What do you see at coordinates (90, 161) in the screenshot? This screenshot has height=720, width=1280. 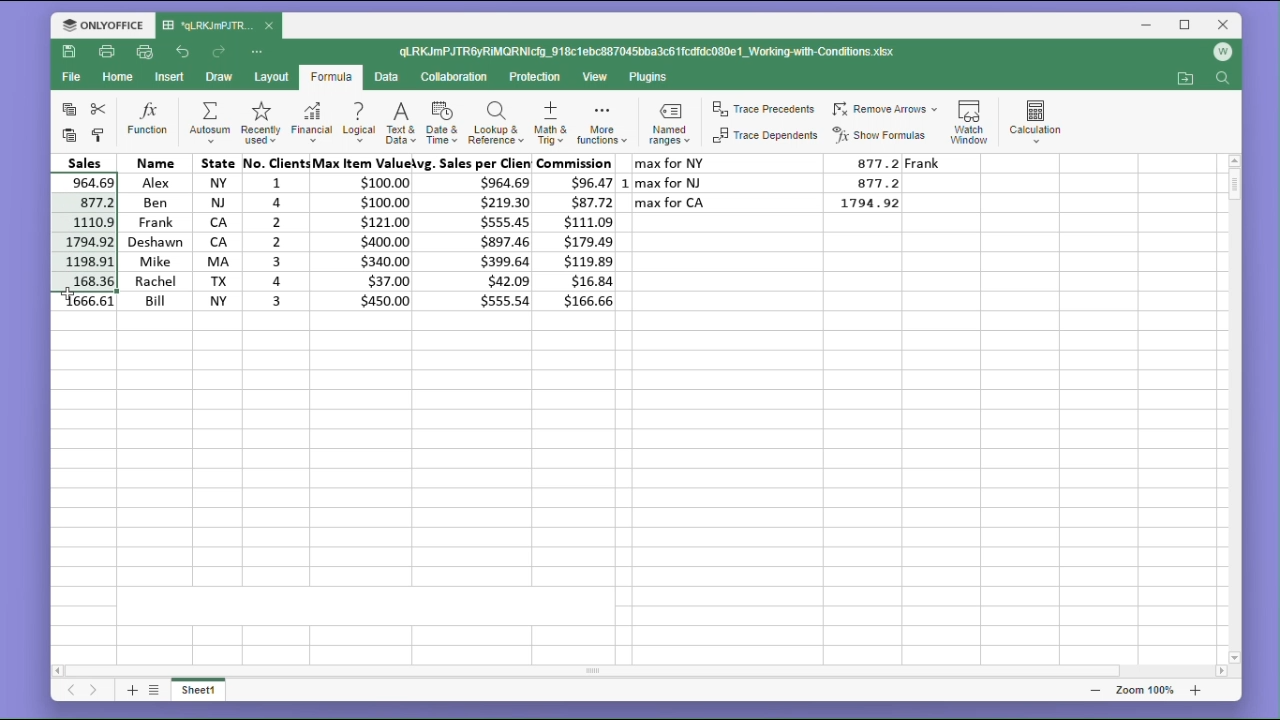 I see `sales` at bounding box center [90, 161].